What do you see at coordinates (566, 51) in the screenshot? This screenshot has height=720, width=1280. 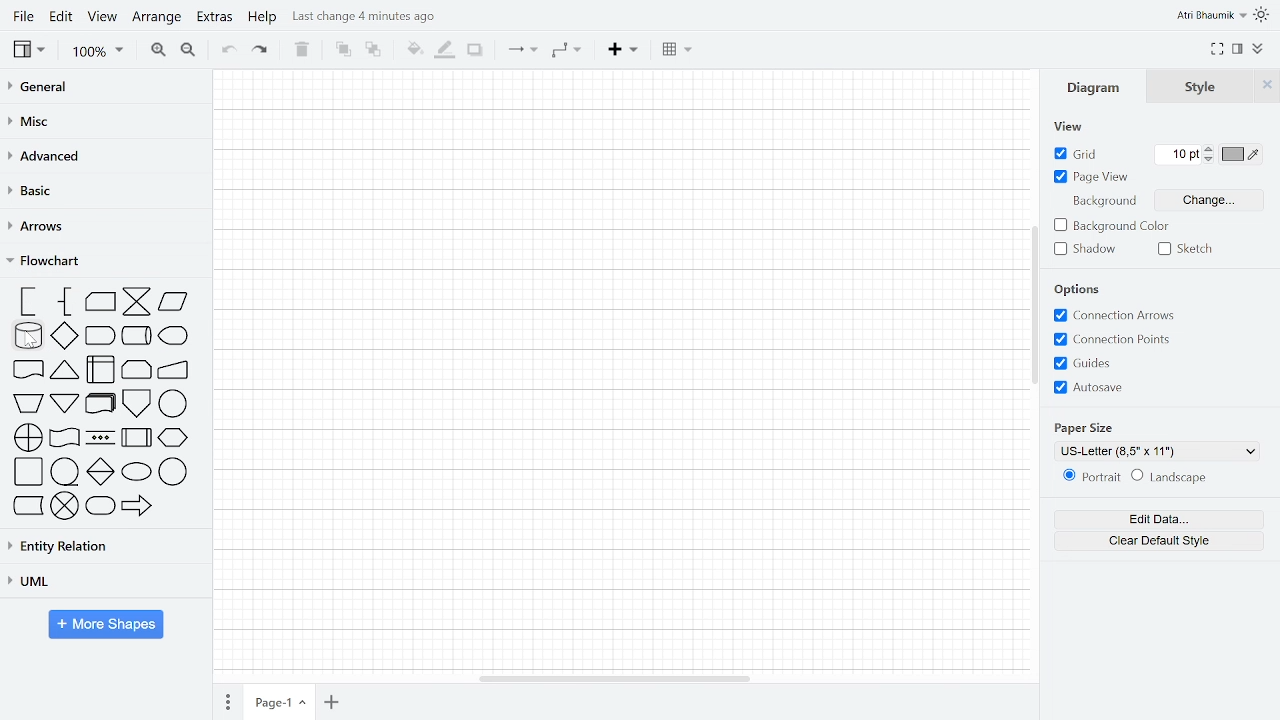 I see `Waypoints` at bounding box center [566, 51].